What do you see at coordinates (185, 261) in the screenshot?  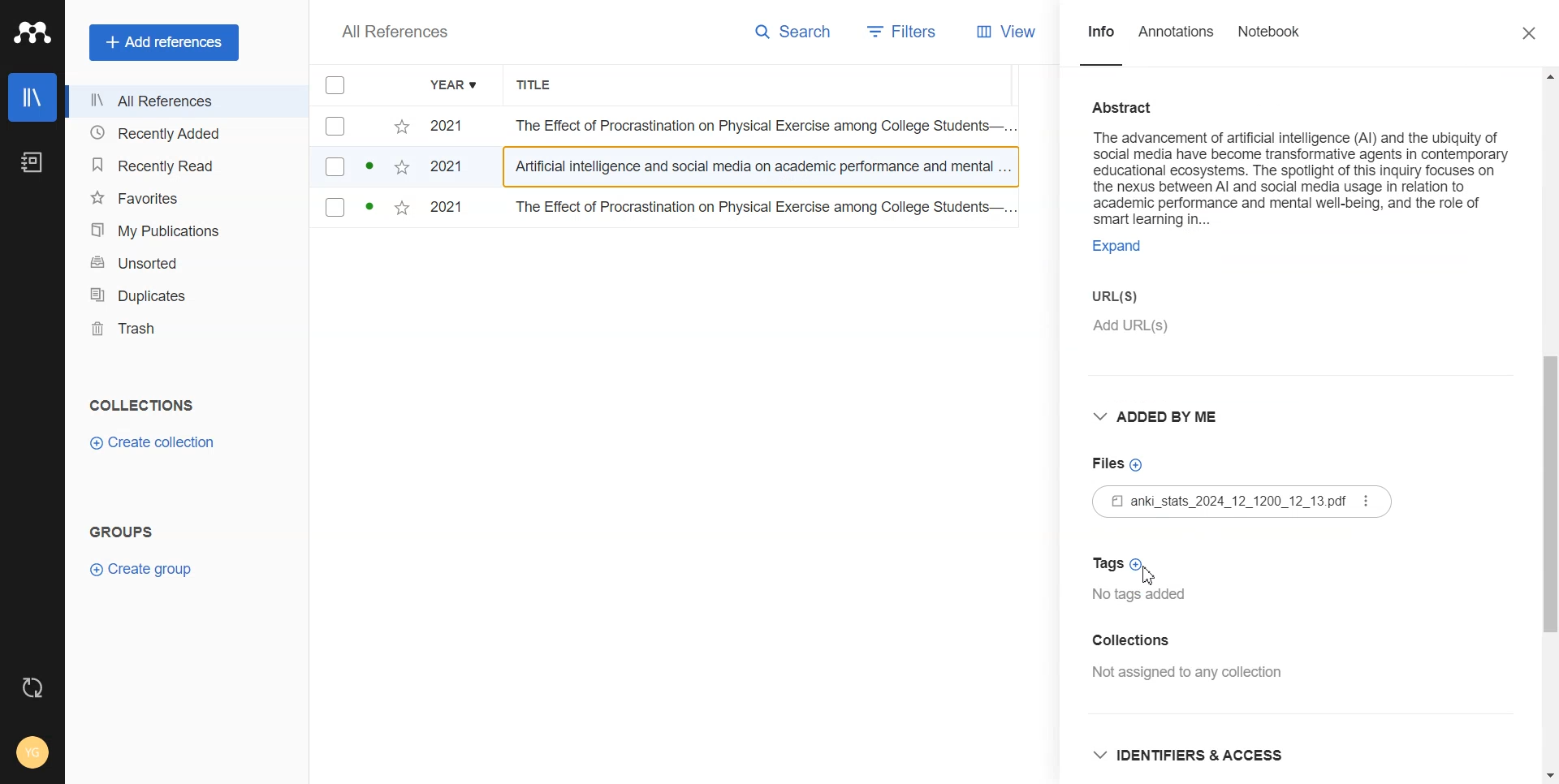 I see `Unsorted` at bounding box center [185, 261].